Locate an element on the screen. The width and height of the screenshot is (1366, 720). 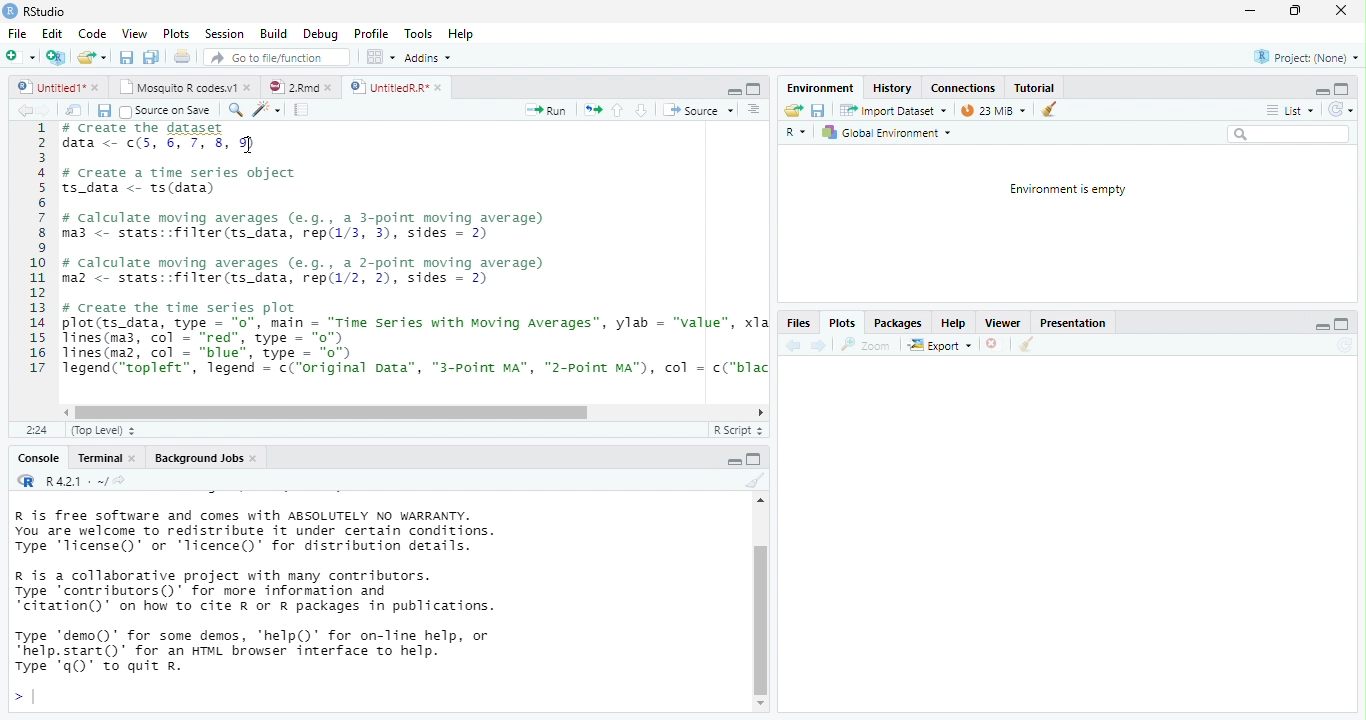
show in window is located at coordinates (75, 110).